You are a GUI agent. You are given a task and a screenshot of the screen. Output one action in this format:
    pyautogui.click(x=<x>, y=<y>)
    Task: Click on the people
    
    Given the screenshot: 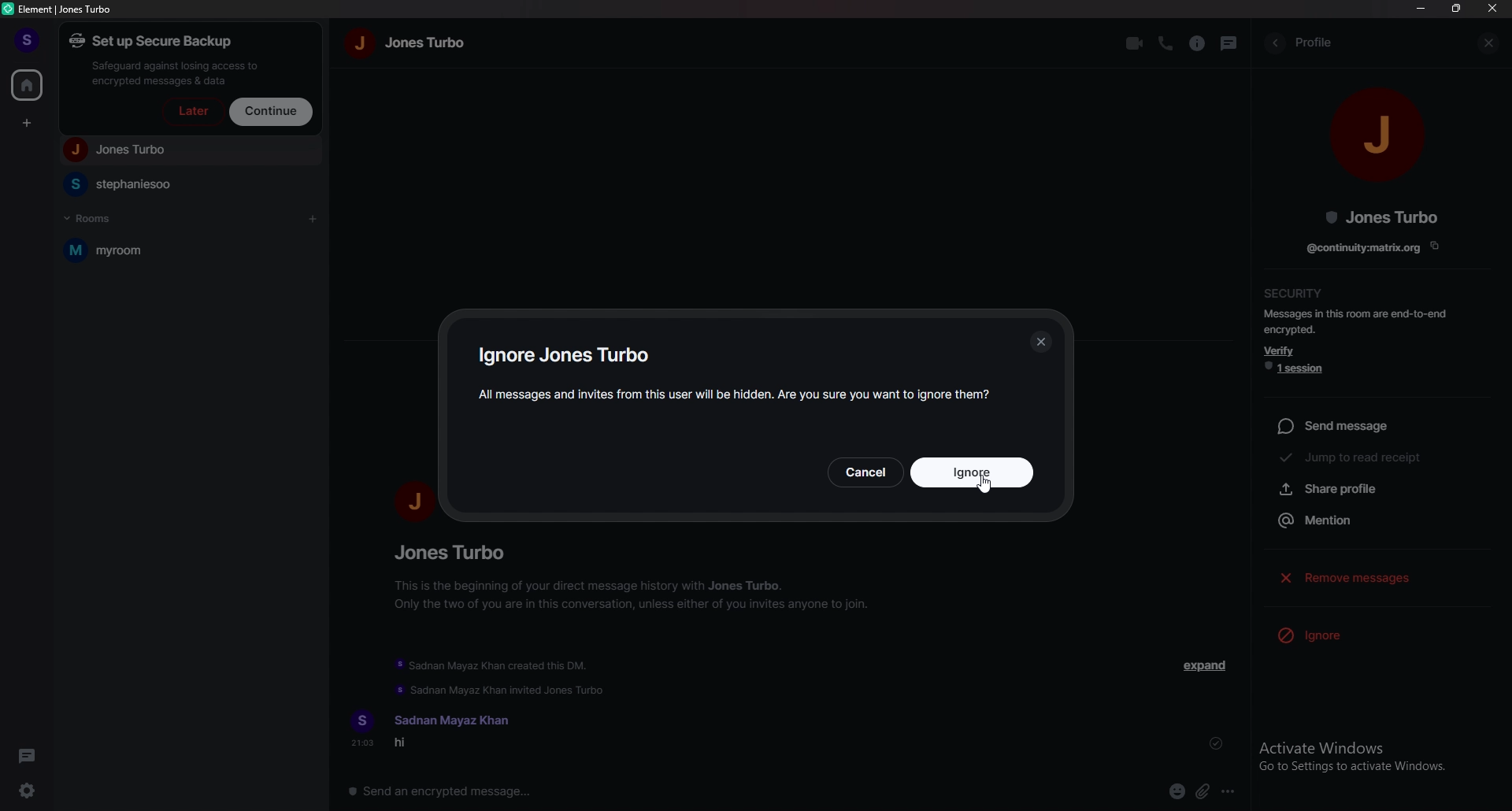 What is the action you would take?
    pyautogui.click(x=188, y=184)
    